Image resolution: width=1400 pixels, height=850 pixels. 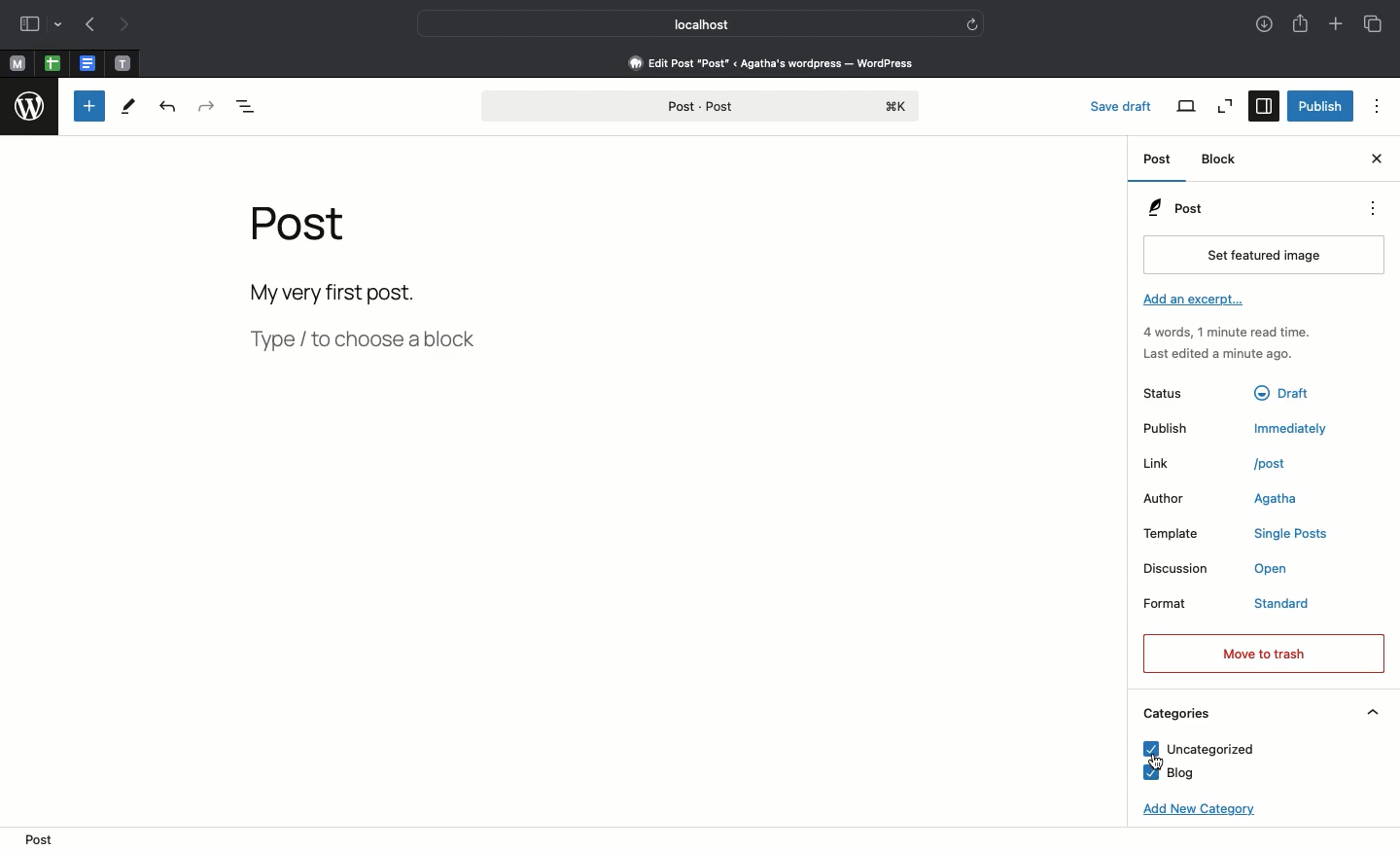 What do you see at coordinates (1194, 814) in the screenshot?
I see `Add new category` at bounding box center [1194, 814].